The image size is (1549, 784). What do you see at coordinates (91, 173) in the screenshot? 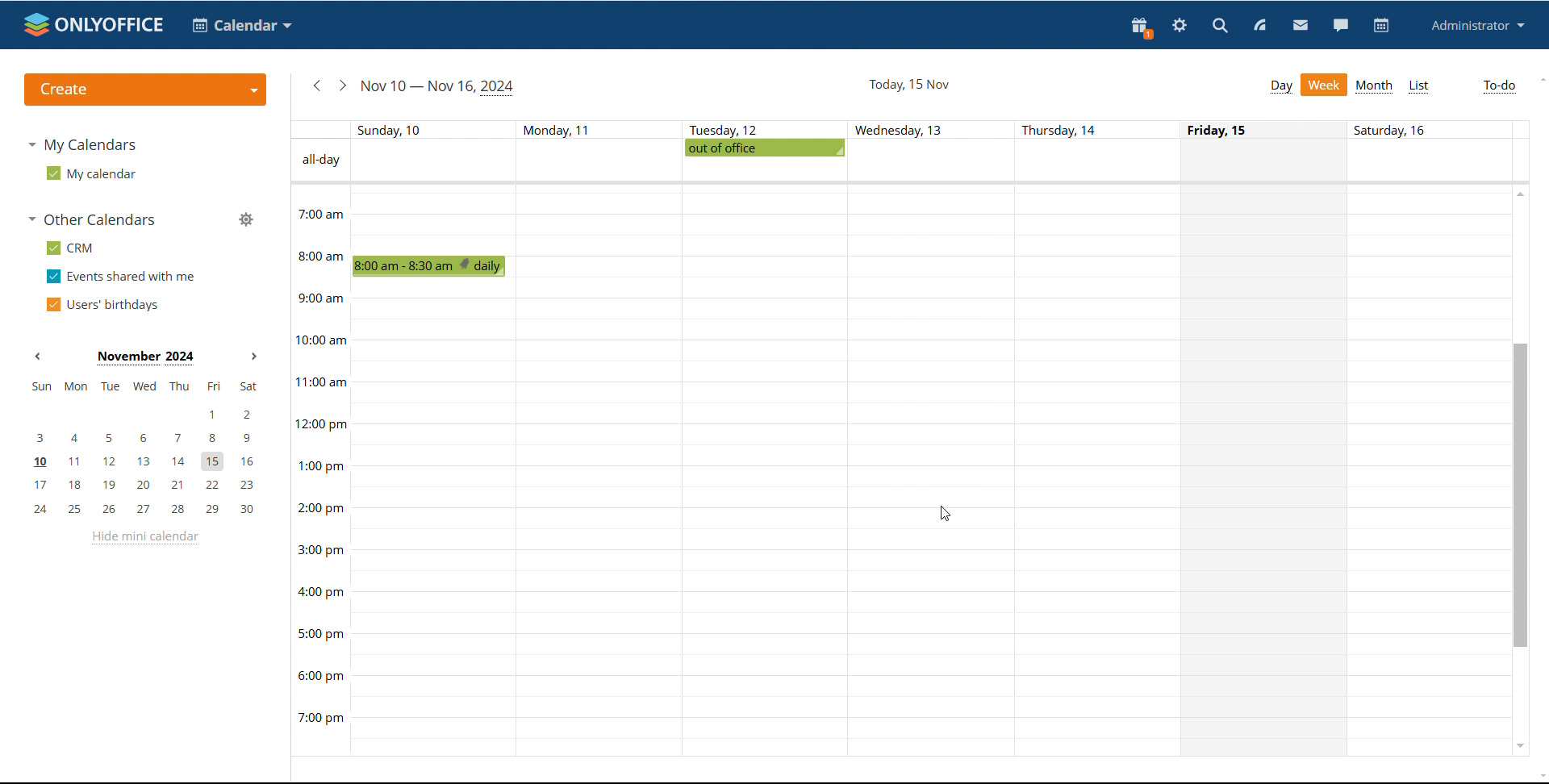
I see `my calendar` at bounding box center [91, 173].